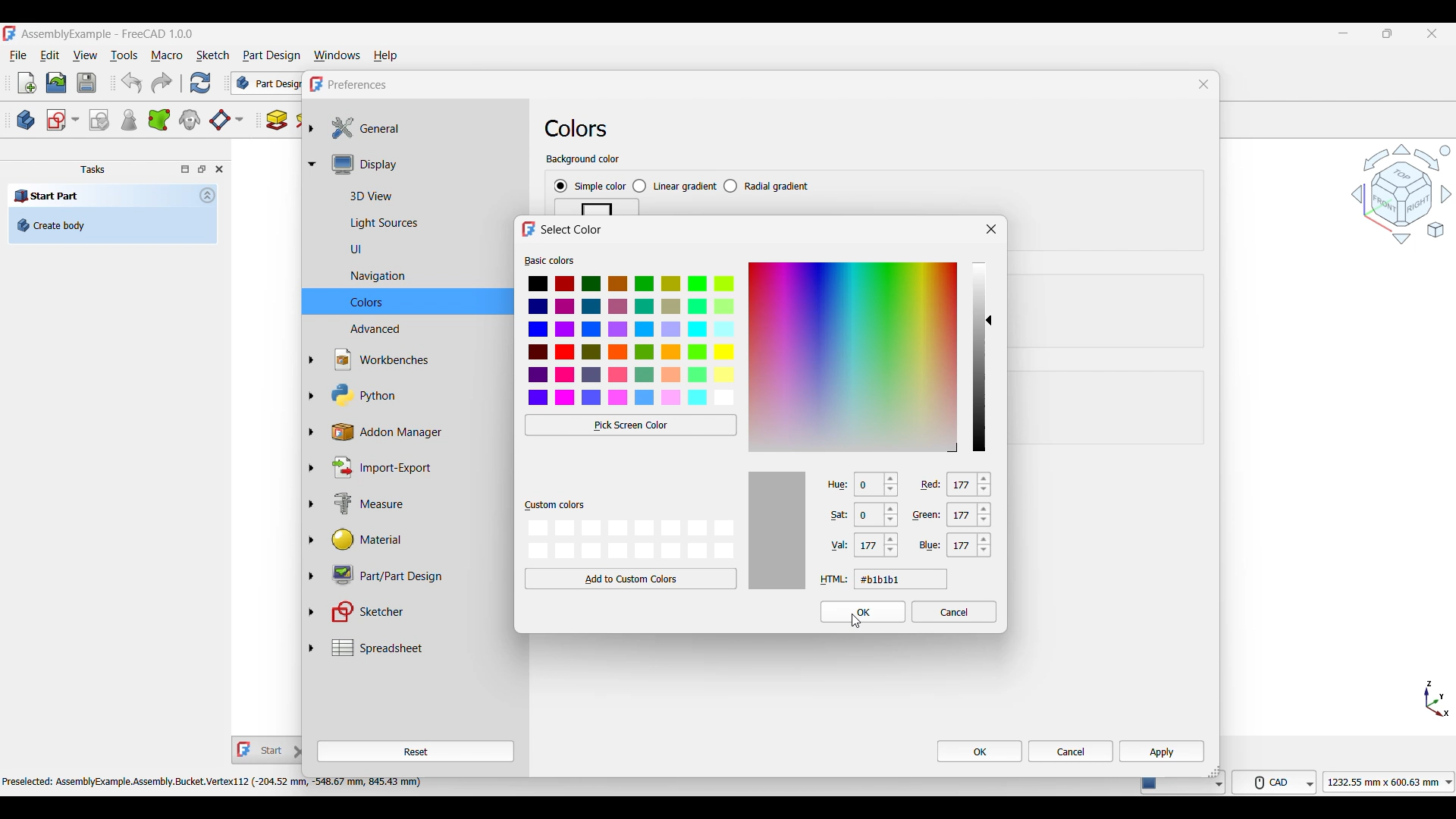 Image resolution: width=1456 pixels, height=819 pixels. I want to click on basic colors, so click(550, 260).